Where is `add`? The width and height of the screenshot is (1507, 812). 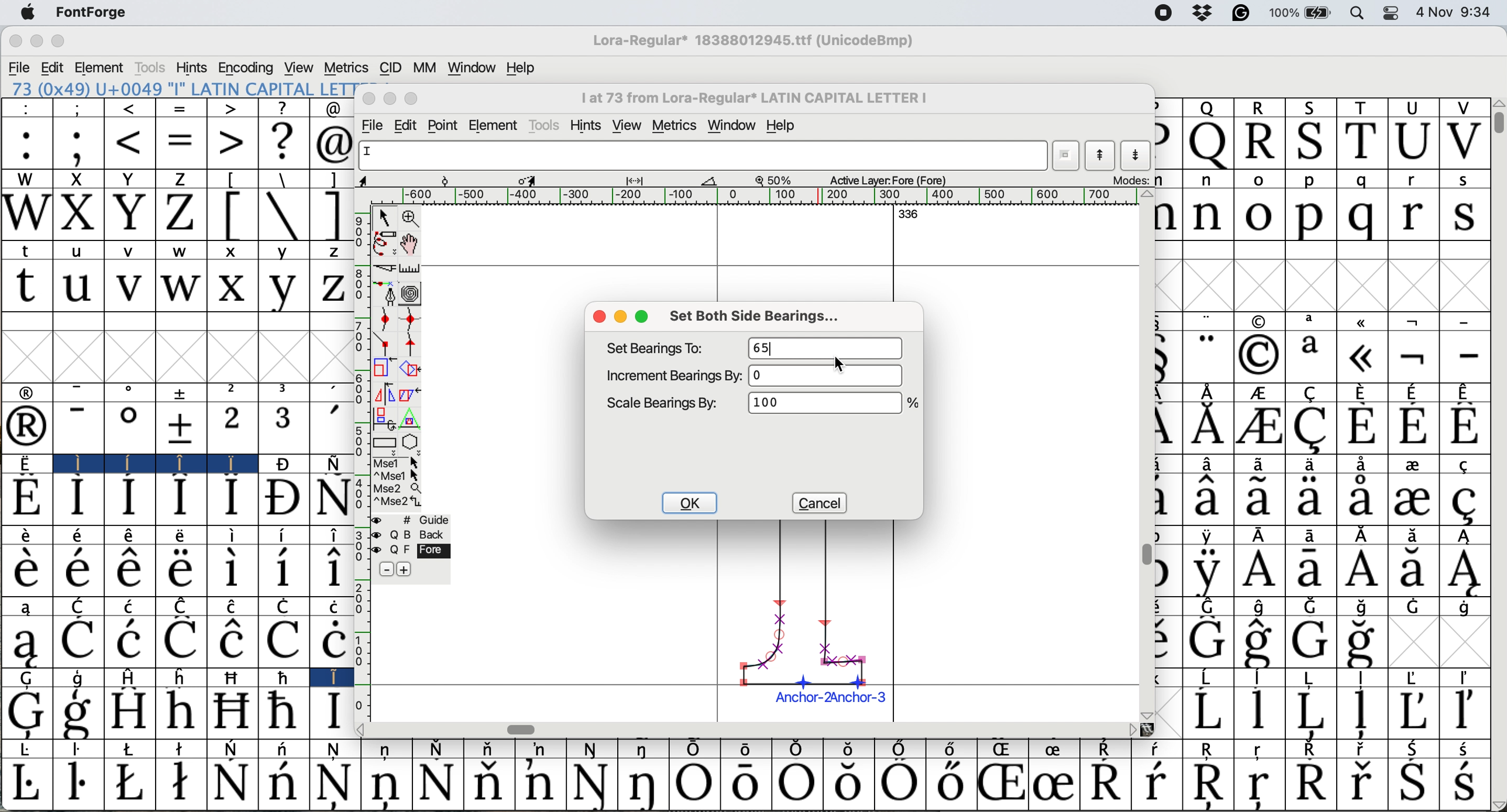
add is located at coordinates (406, 569).